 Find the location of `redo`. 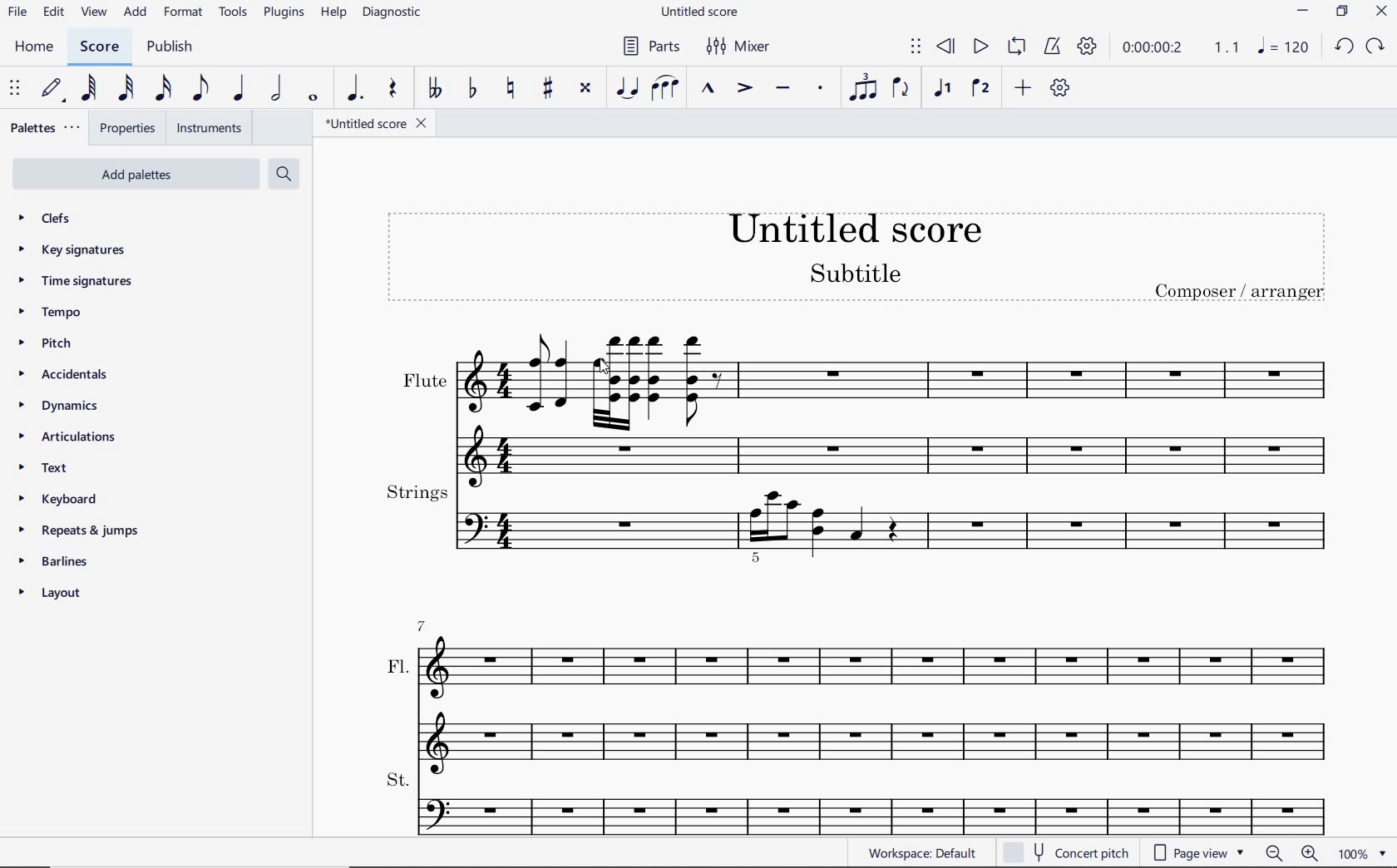

redo is located at coordinates (1376, 47).